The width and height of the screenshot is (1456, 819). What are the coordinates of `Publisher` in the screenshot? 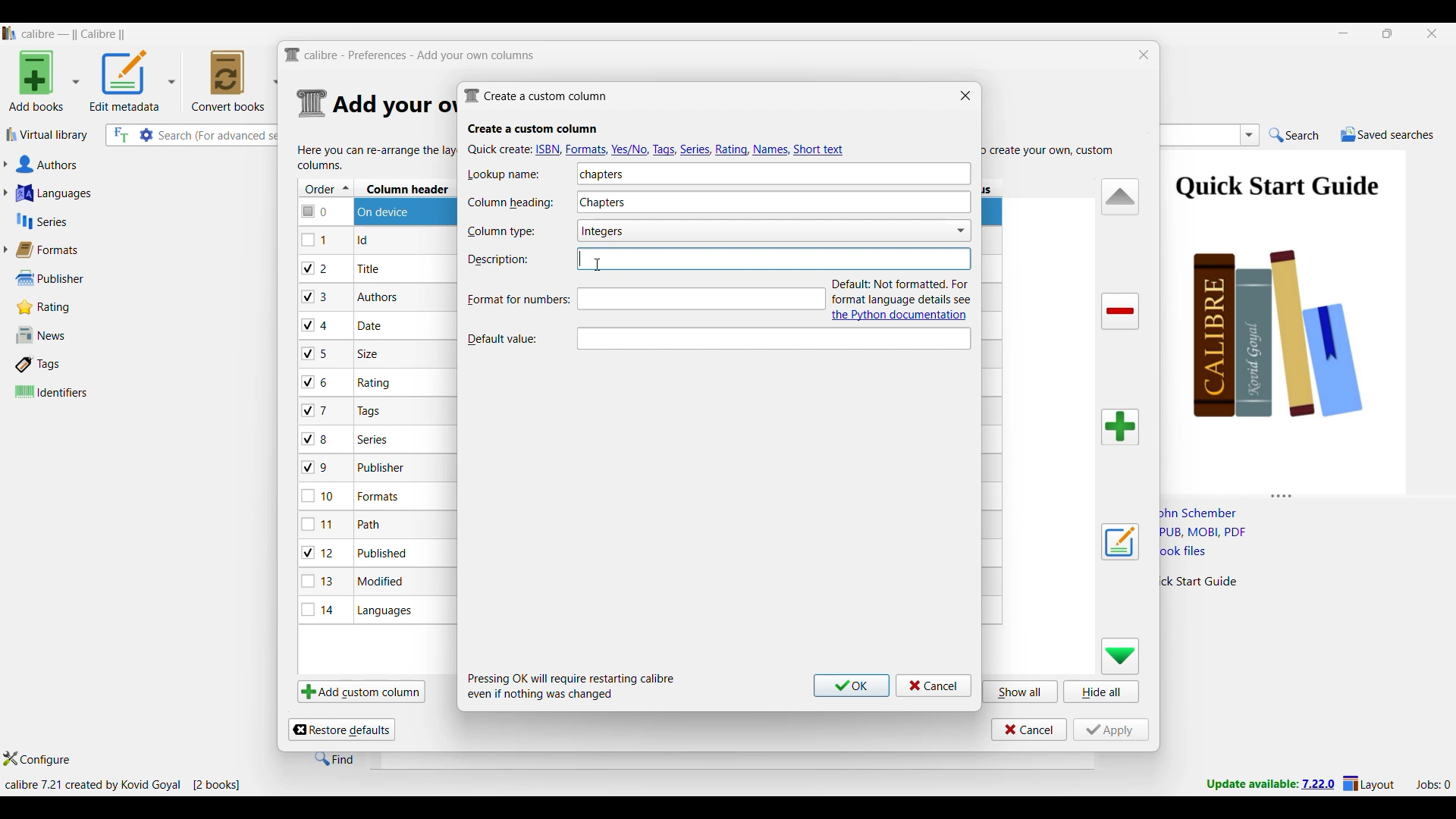 It's located at (67, 278).